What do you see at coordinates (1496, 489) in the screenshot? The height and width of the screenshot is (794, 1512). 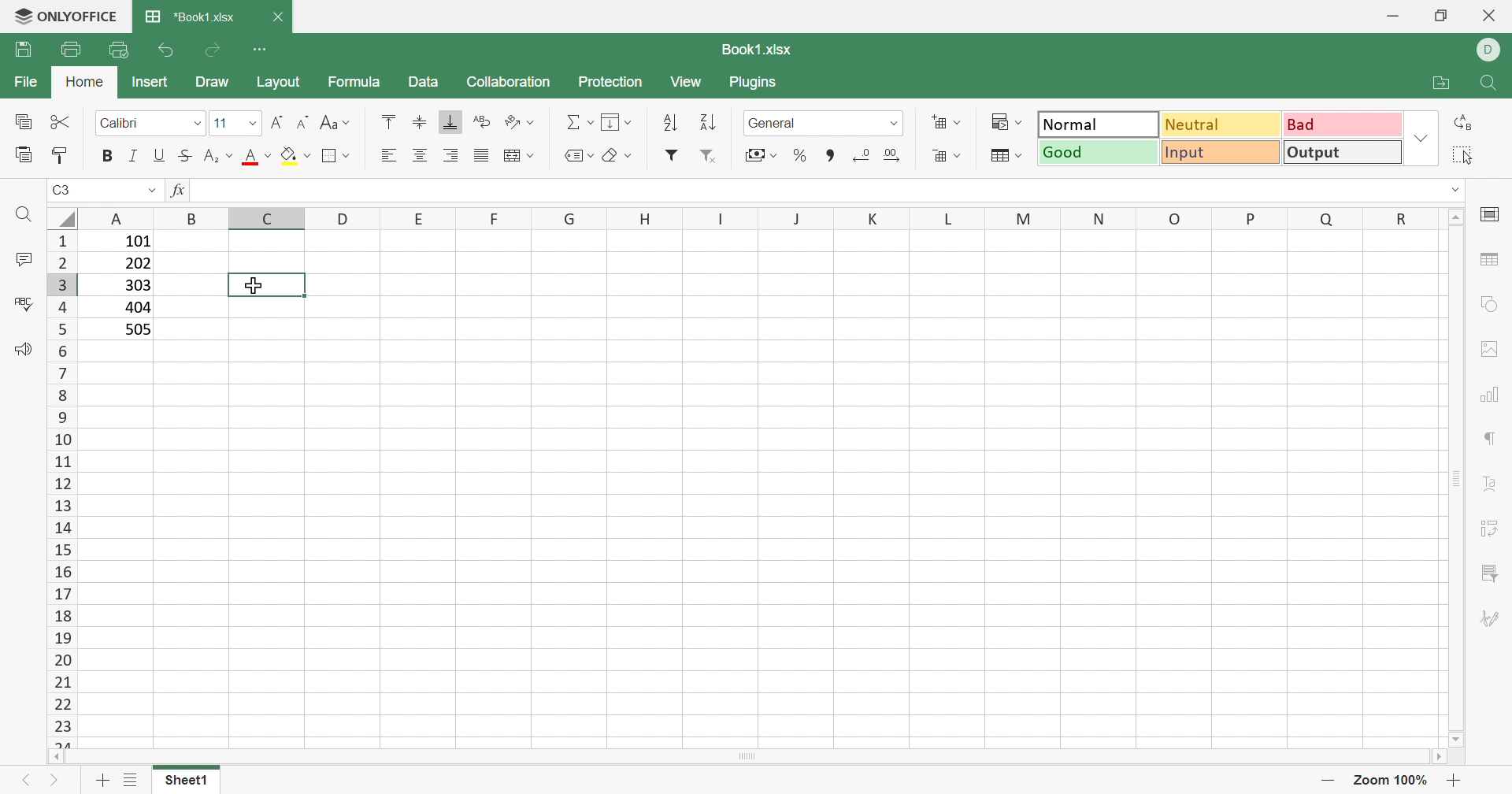 I see `Text Art settings` at bounding box center [1496, 489].